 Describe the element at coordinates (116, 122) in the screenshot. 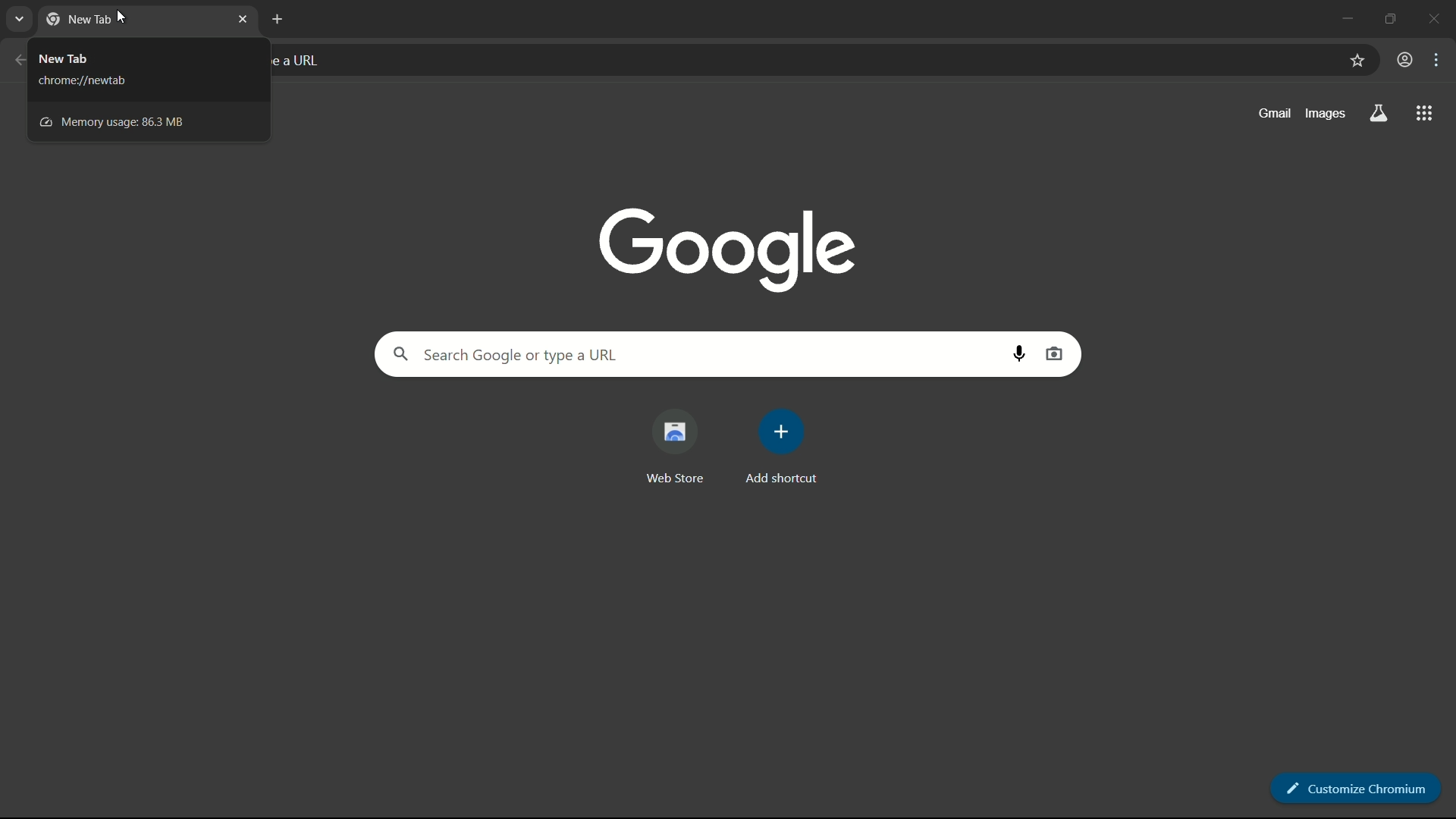

I see `Memory usage: 86.3 MB` at that location.